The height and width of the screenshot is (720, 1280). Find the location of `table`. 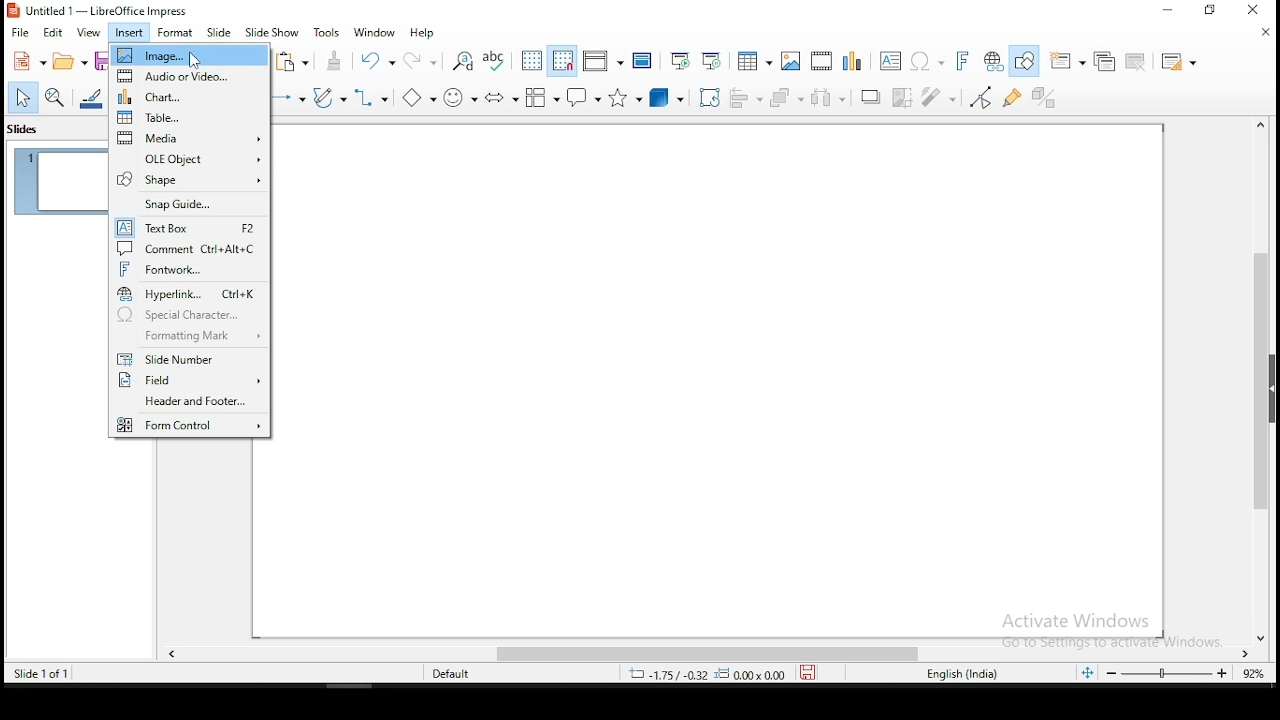

table is located at coordinates (192, 114).